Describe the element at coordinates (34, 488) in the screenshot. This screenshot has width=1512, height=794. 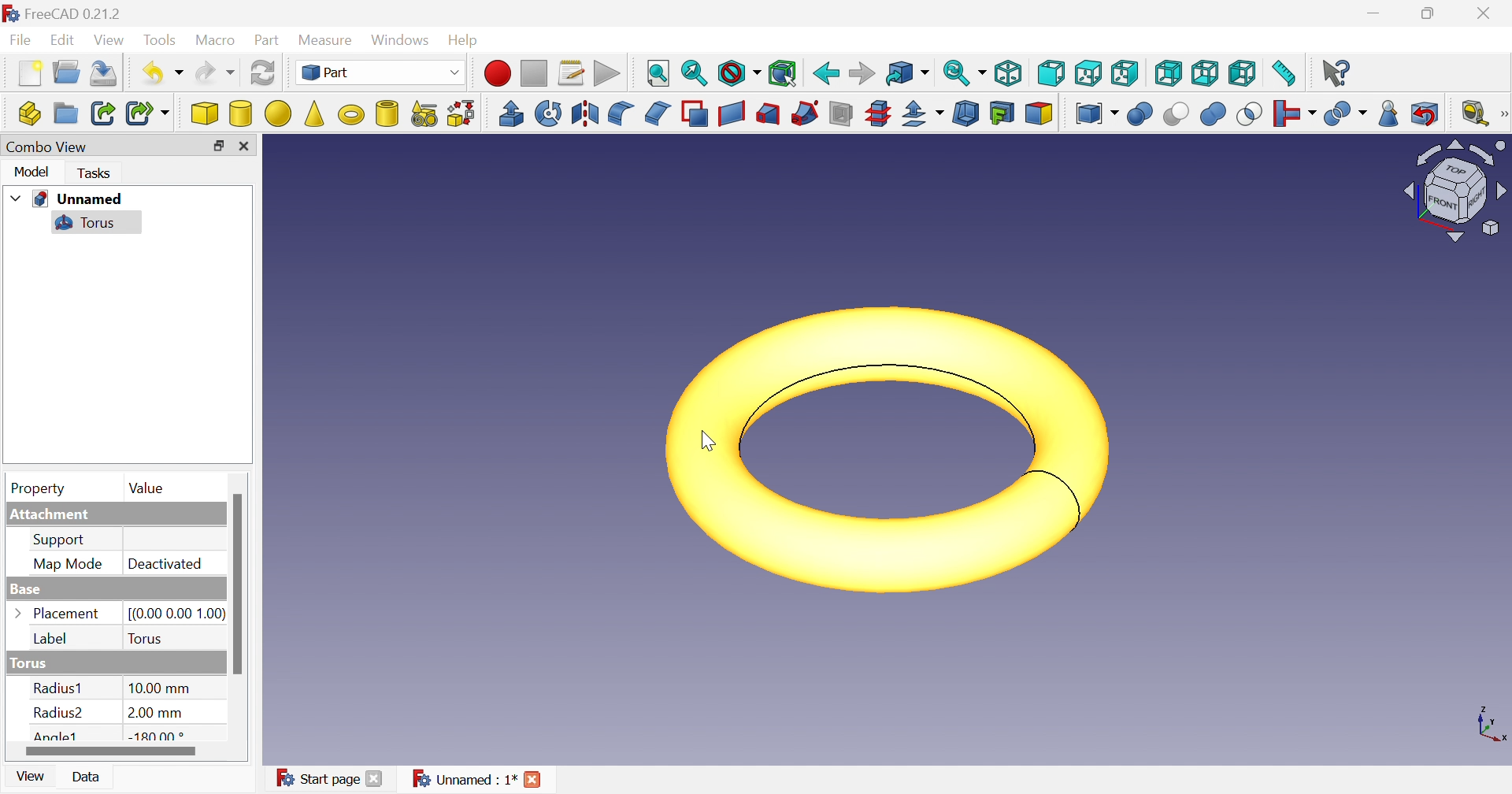
I see `Property` at that location.